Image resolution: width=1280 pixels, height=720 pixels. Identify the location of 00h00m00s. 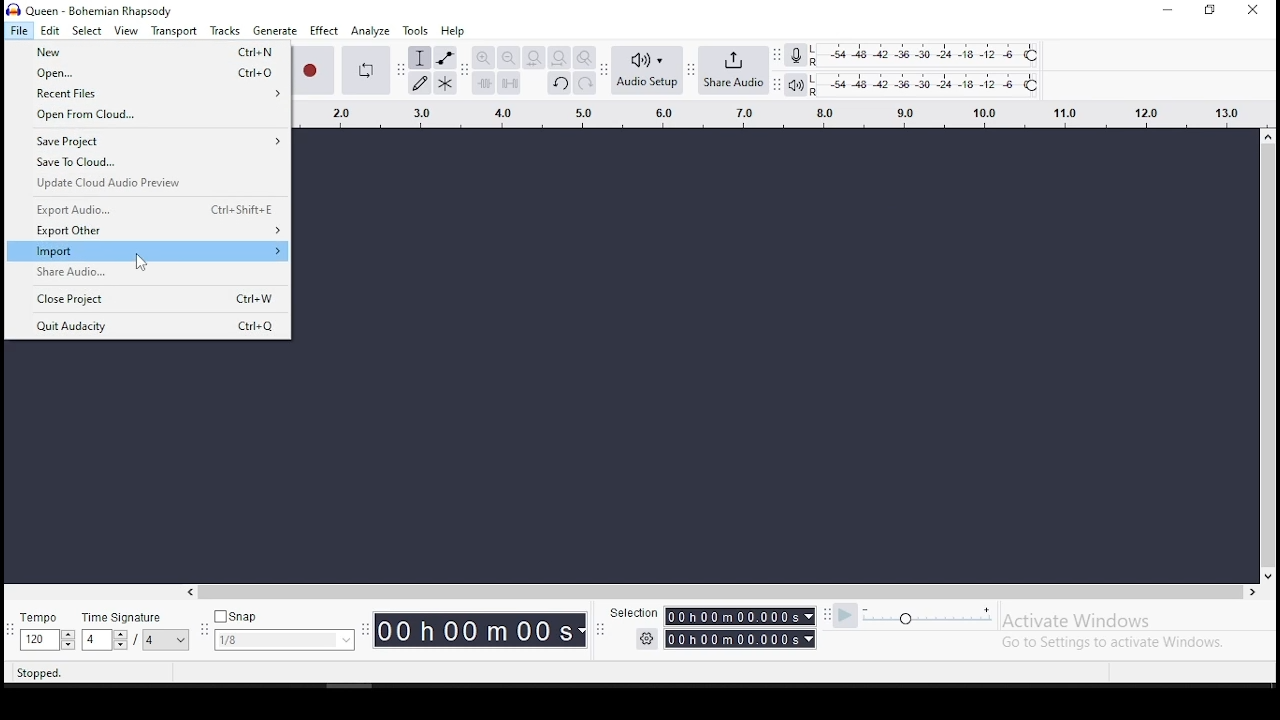
(742, 639).